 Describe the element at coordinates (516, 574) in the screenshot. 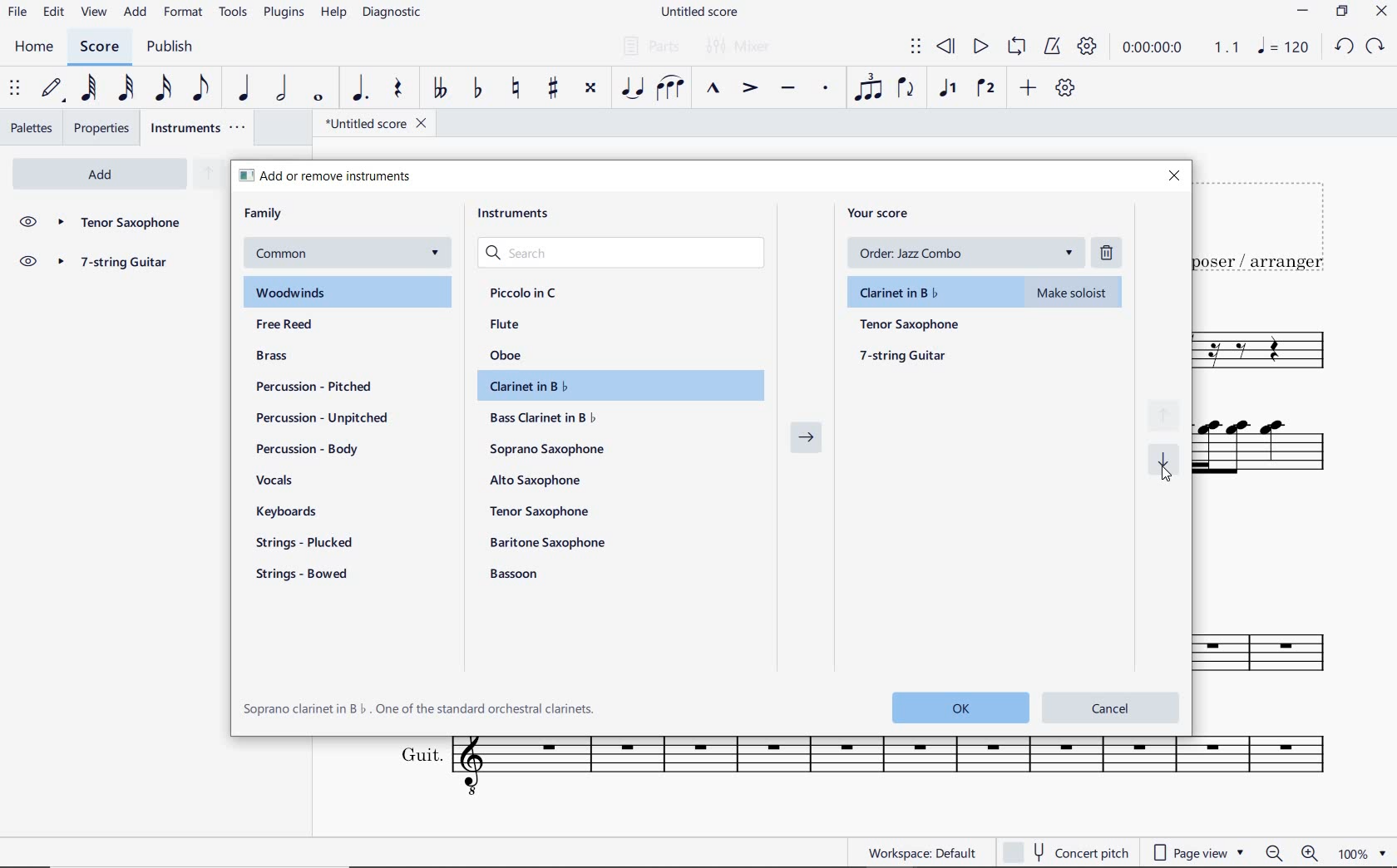

I see `basson` at that location.